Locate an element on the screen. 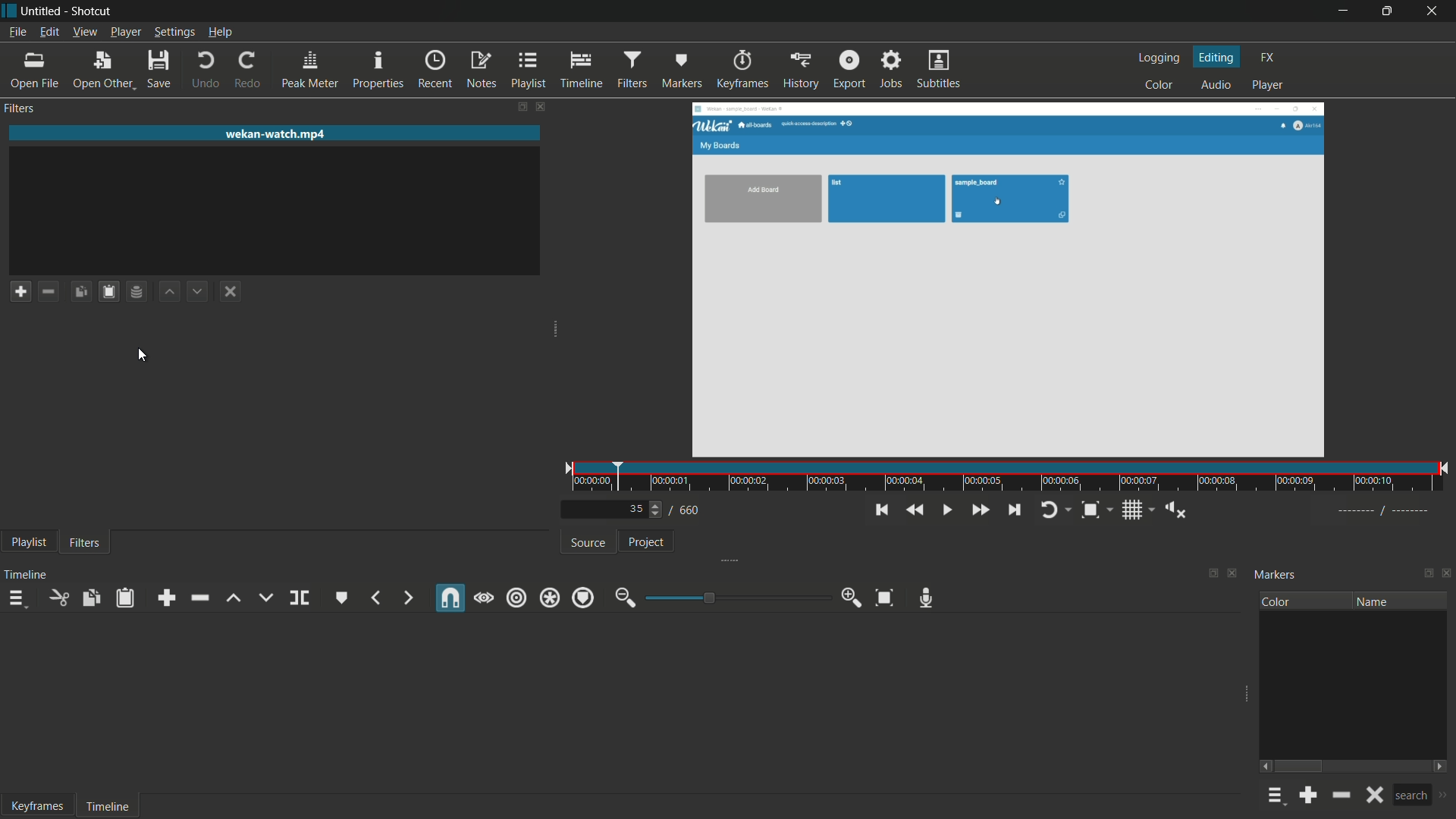  scroll bar is located at coordinates (1301, 766).